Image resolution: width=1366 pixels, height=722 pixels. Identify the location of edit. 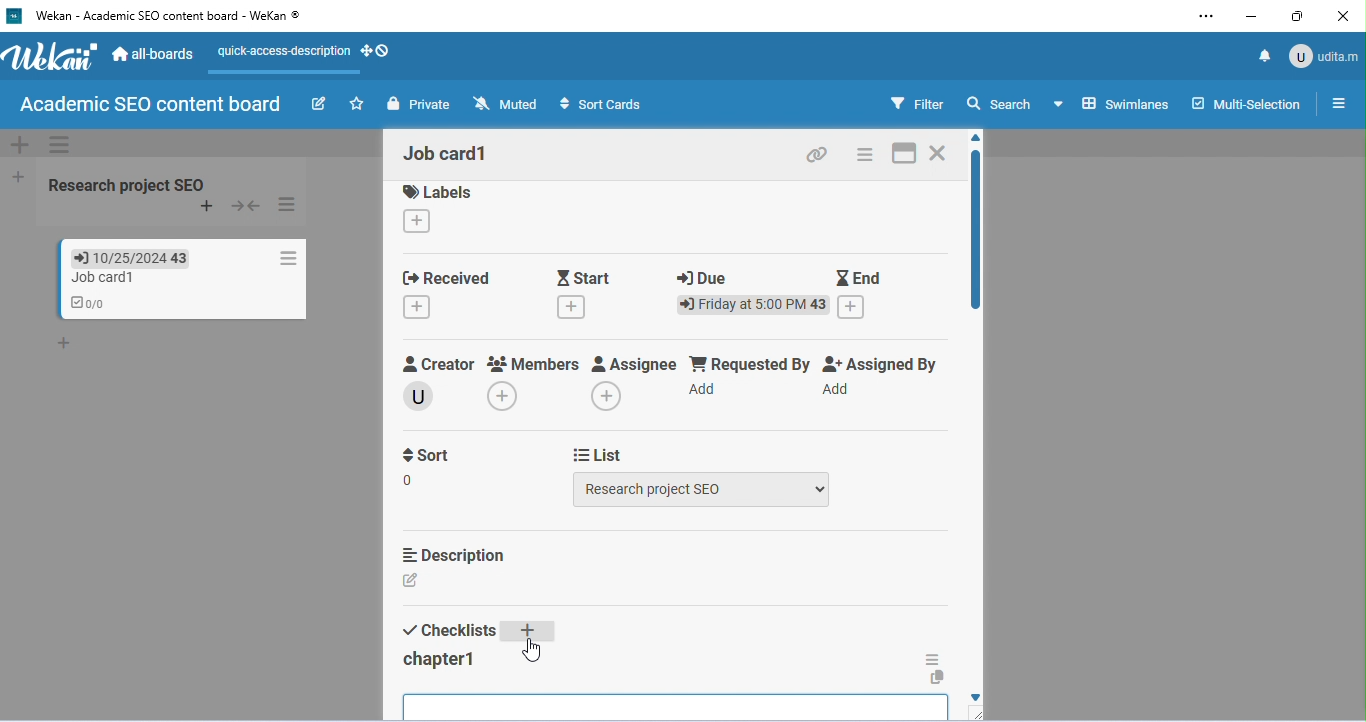
(318, 103).